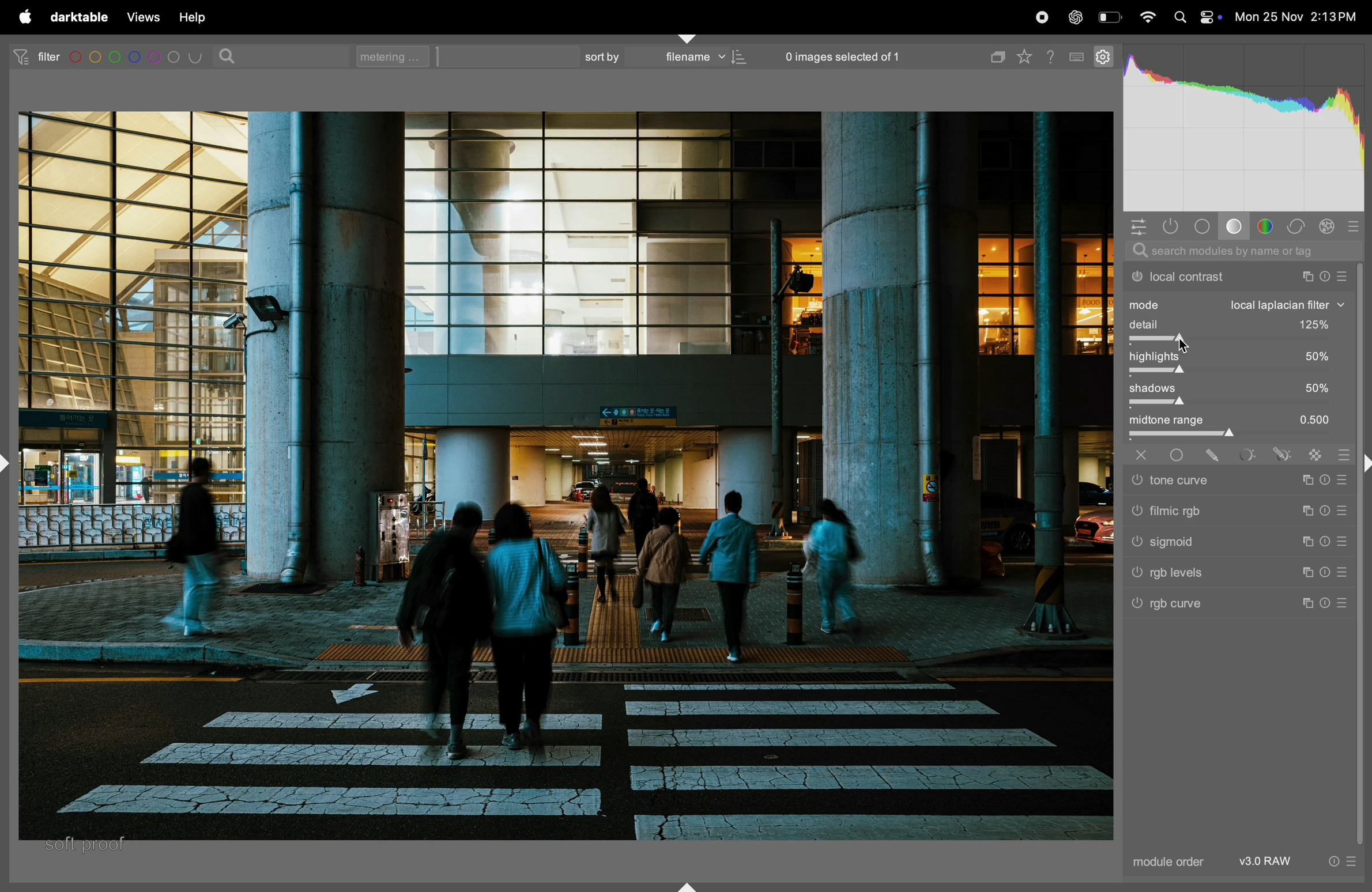 Image resolution: width=1372 pixels, height=892 pixels. I want to click on preset, so click(1343, 604).